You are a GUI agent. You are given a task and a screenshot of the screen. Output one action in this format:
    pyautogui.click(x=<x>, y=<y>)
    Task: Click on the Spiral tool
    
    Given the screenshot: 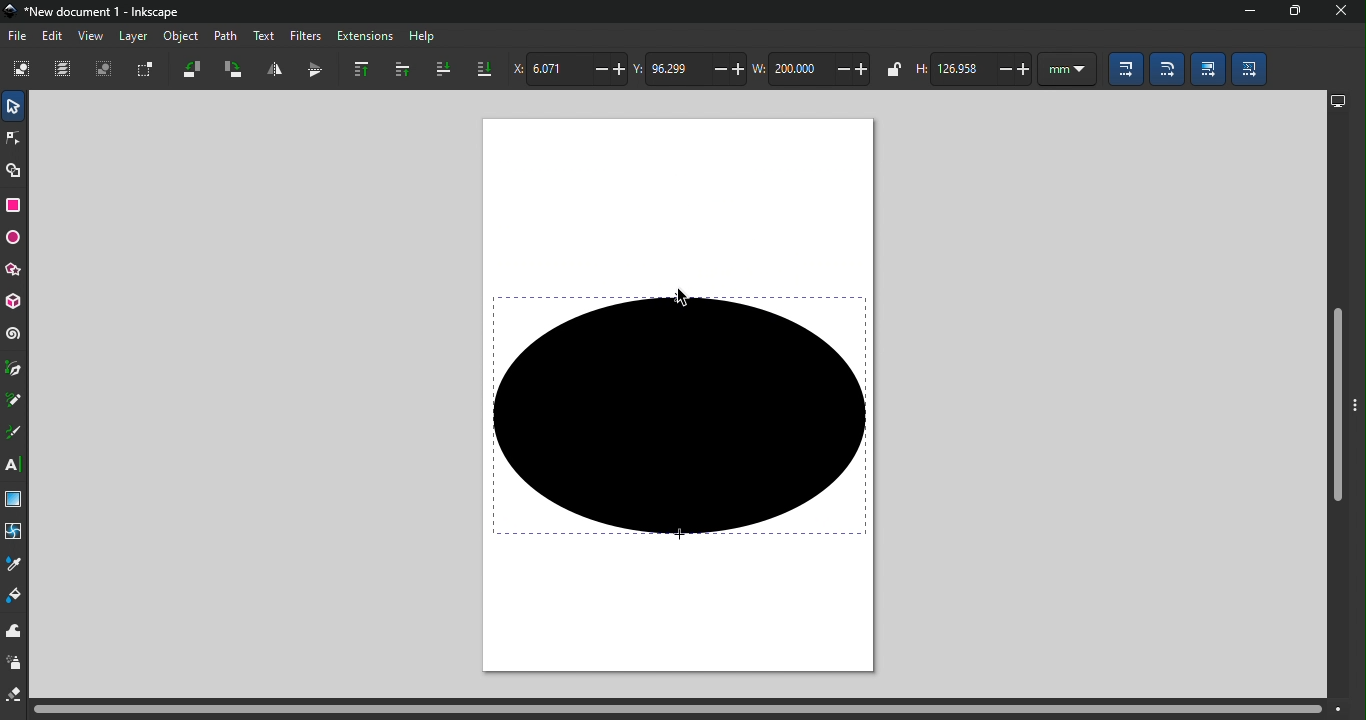 What is the action you would take?
    pyautogui.click(x=15, y=334)
    